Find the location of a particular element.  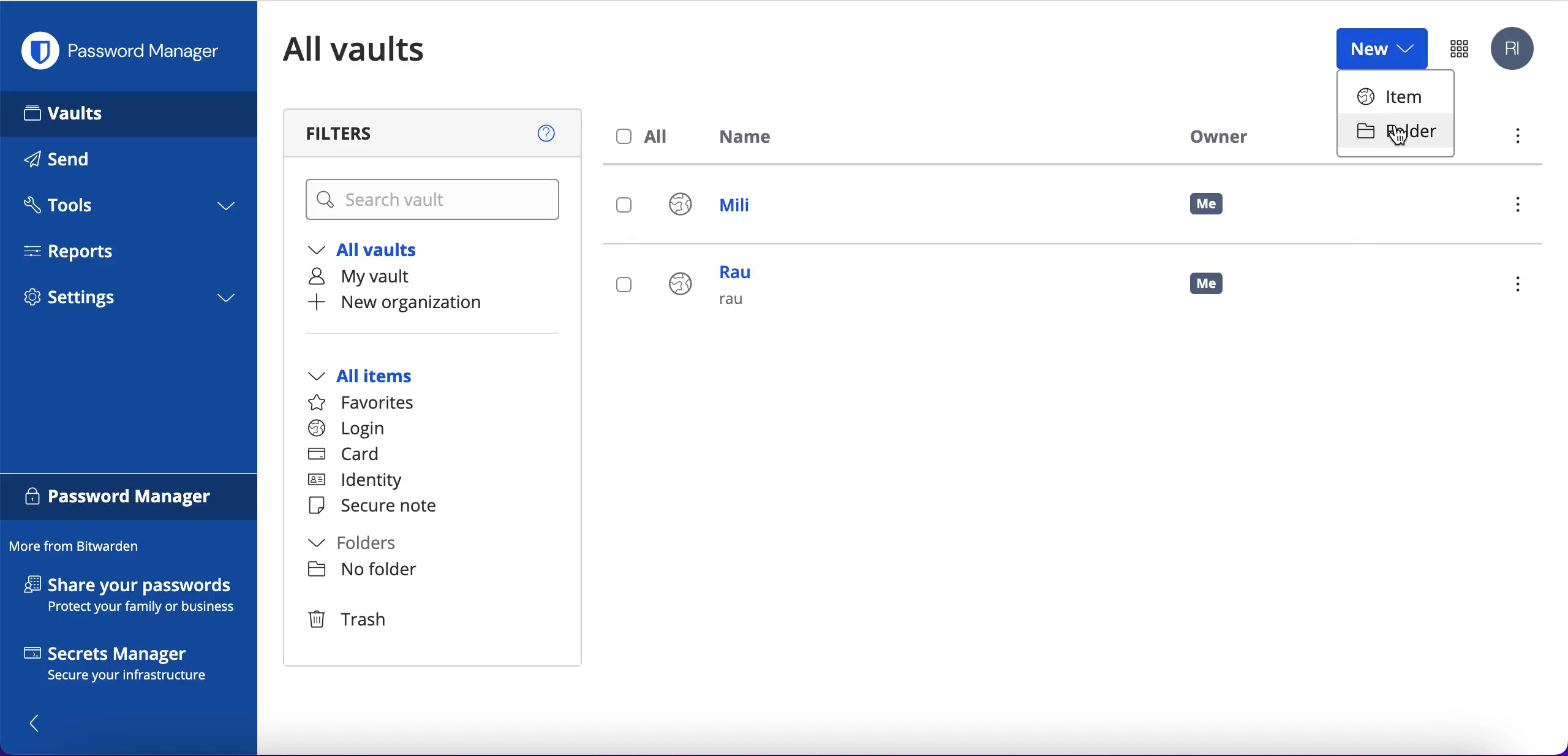

card is located at coordinates (346, 456).